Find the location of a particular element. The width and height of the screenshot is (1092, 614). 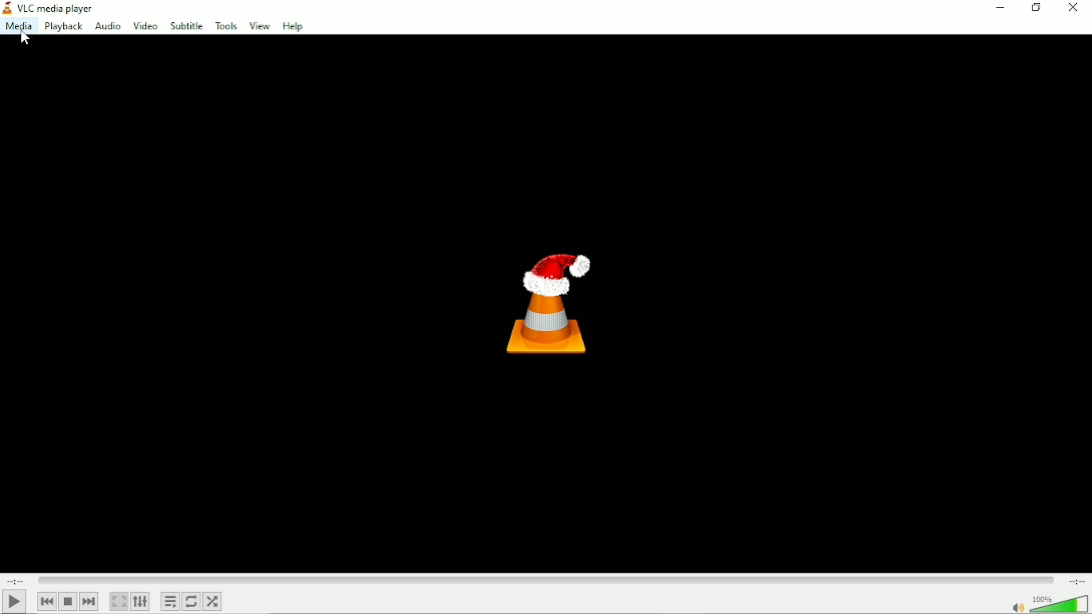

Show extended settings is located at coordinates (140, 601).